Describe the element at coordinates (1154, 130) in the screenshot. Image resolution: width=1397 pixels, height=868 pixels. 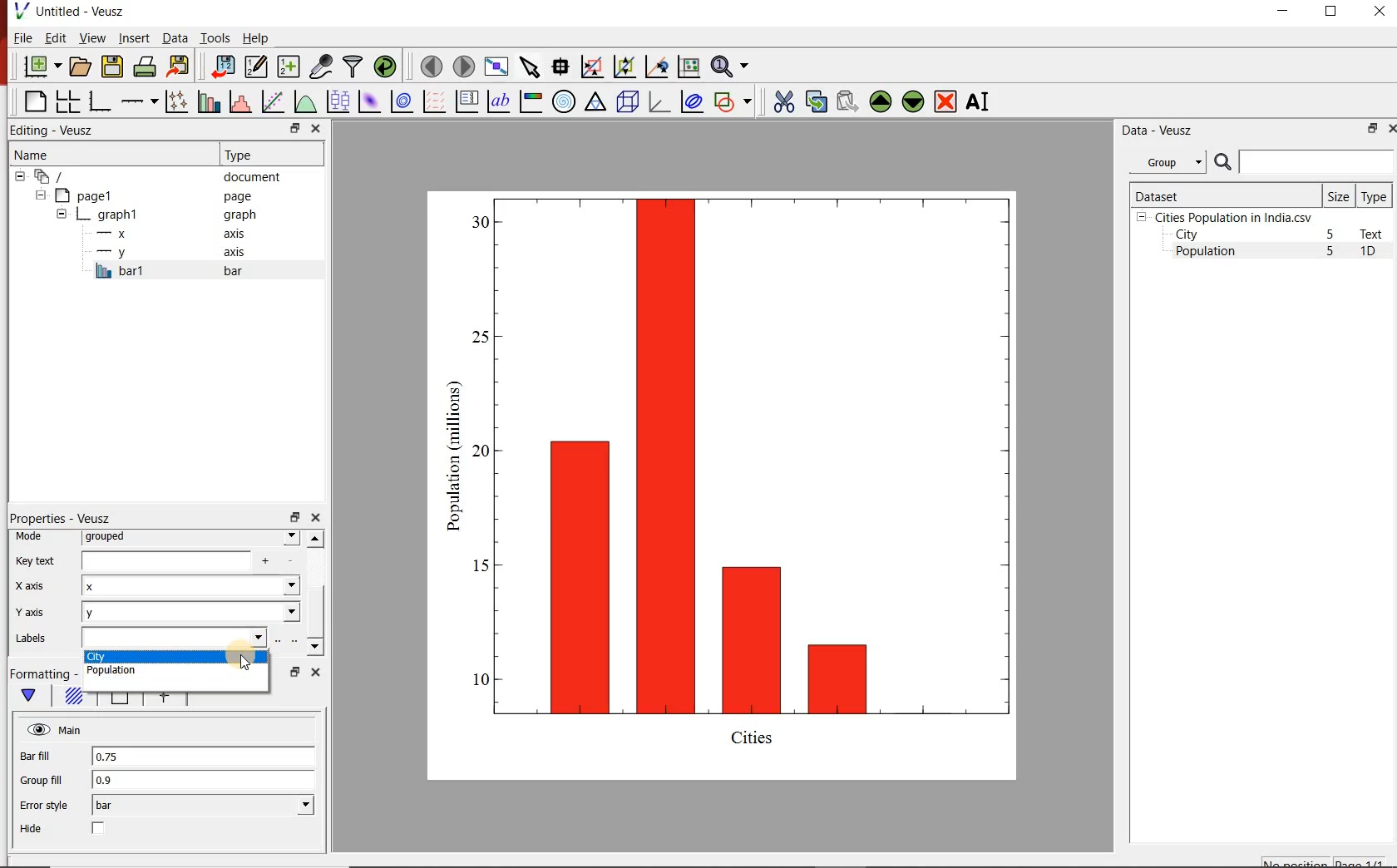
I see `Data - Veusz` at that location.